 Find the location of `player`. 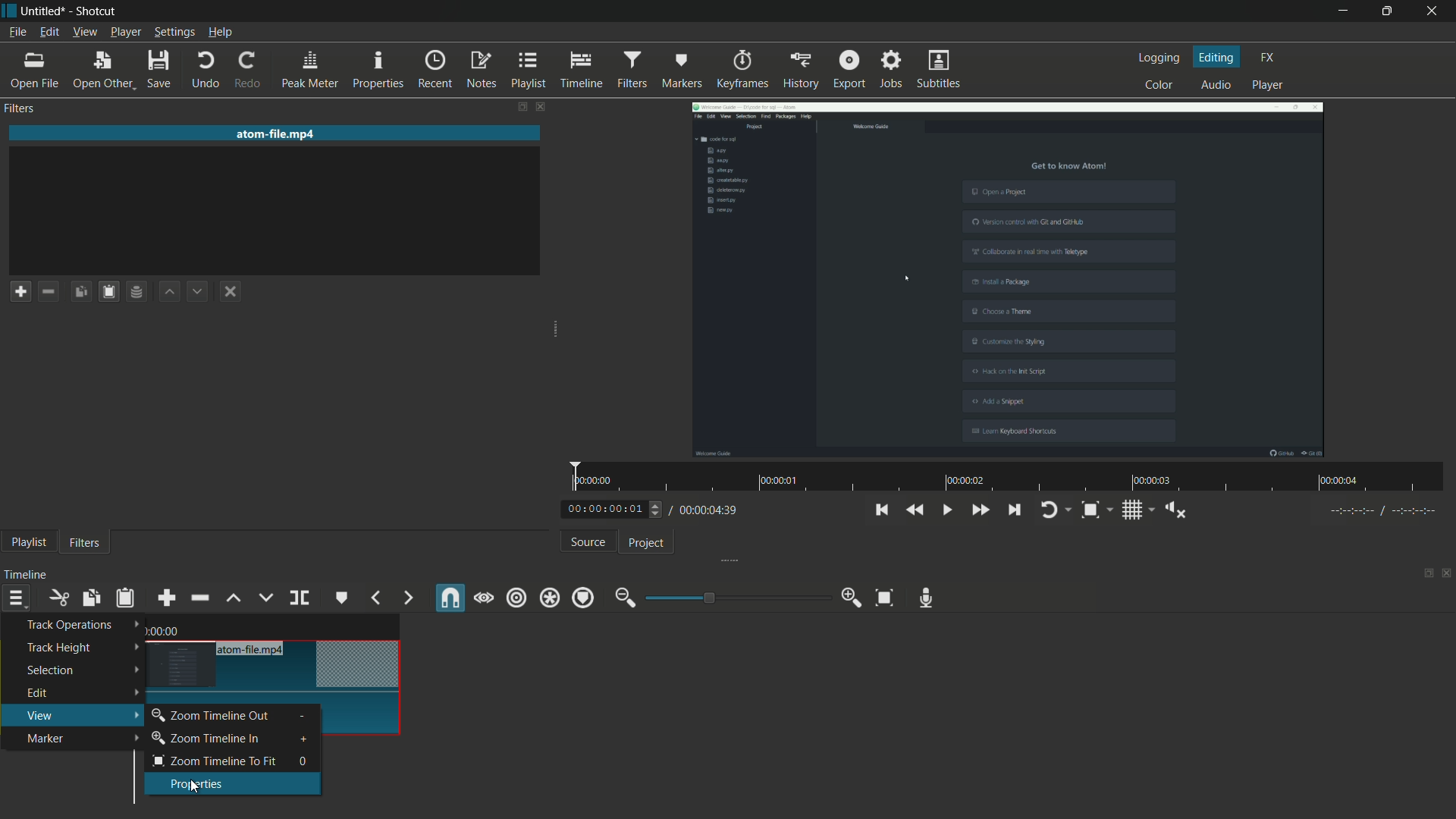

player is located at coordinates (1267, 85).